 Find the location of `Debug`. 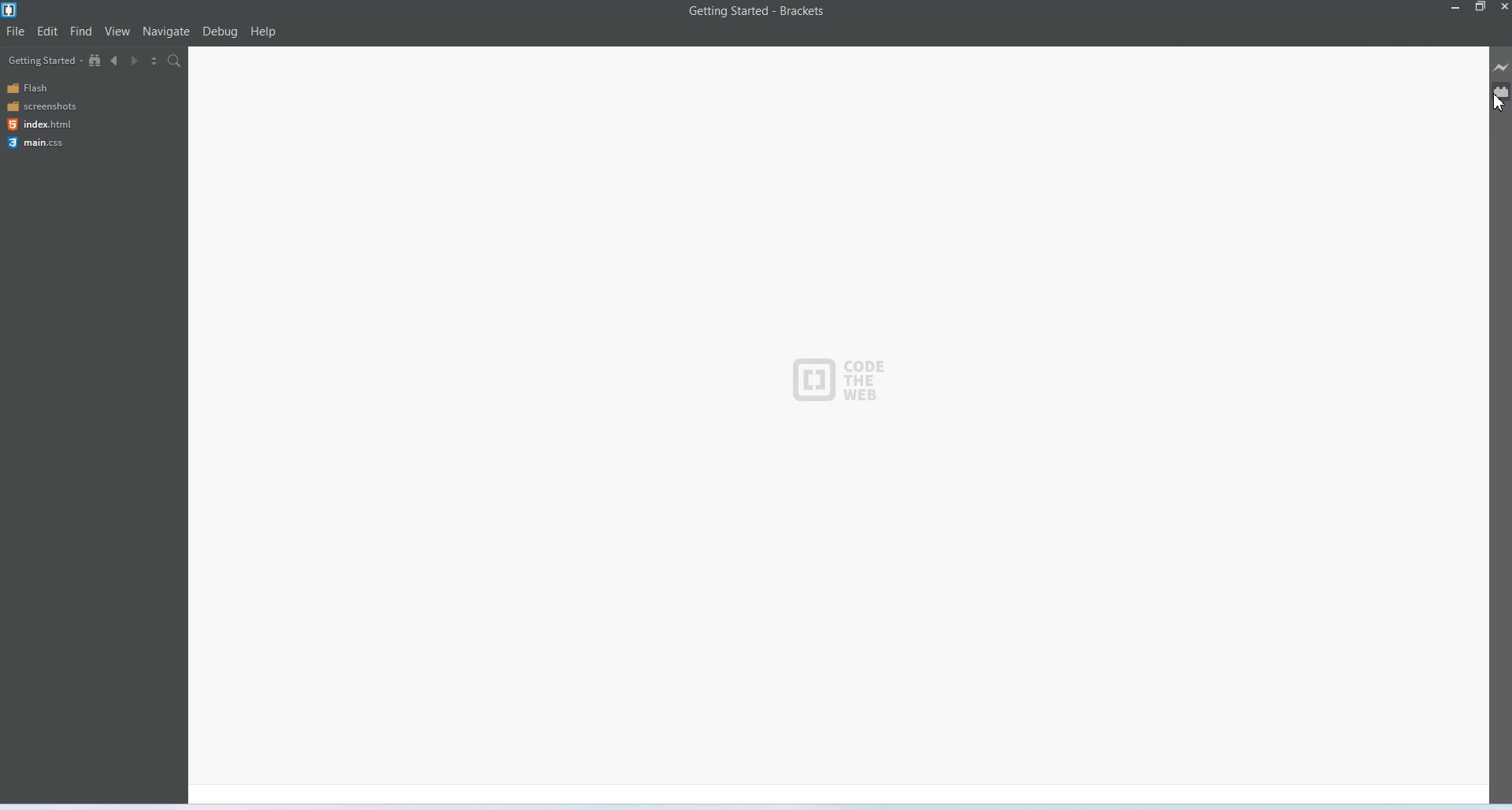

Debug is located at coordinates (219, 32).